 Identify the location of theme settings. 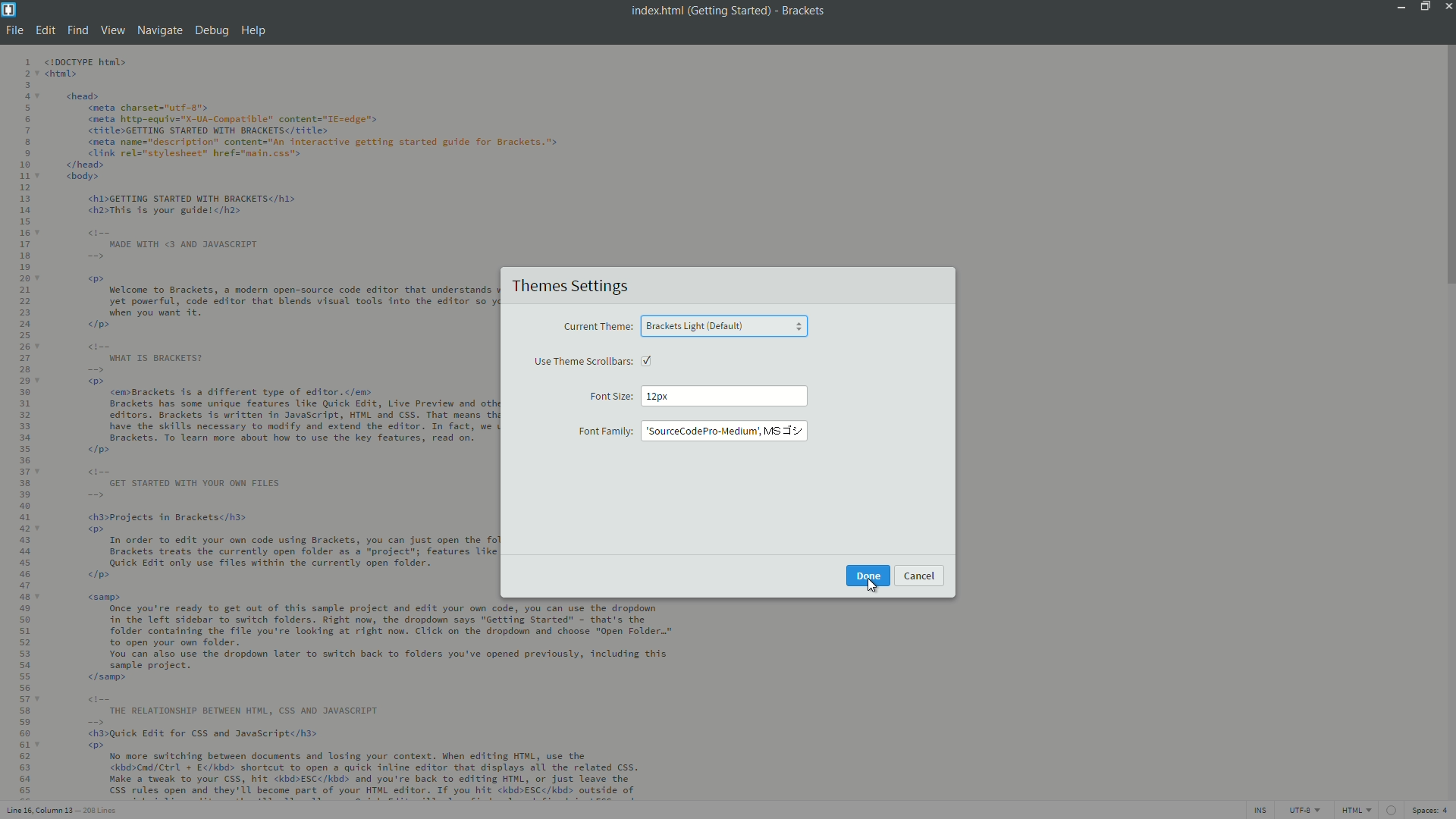
(568, 287).